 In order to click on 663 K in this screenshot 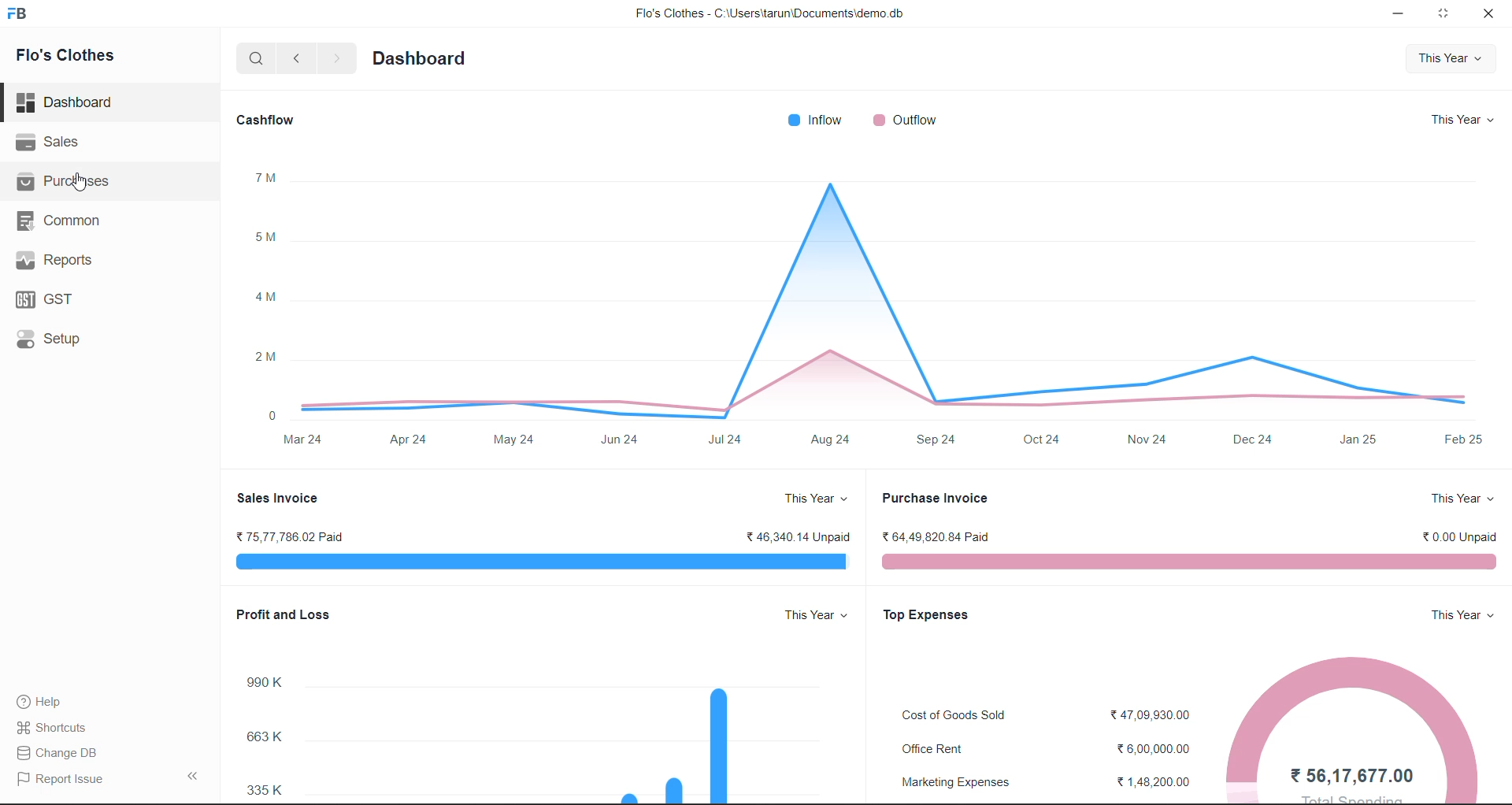, I will do `click(268, 740)`.